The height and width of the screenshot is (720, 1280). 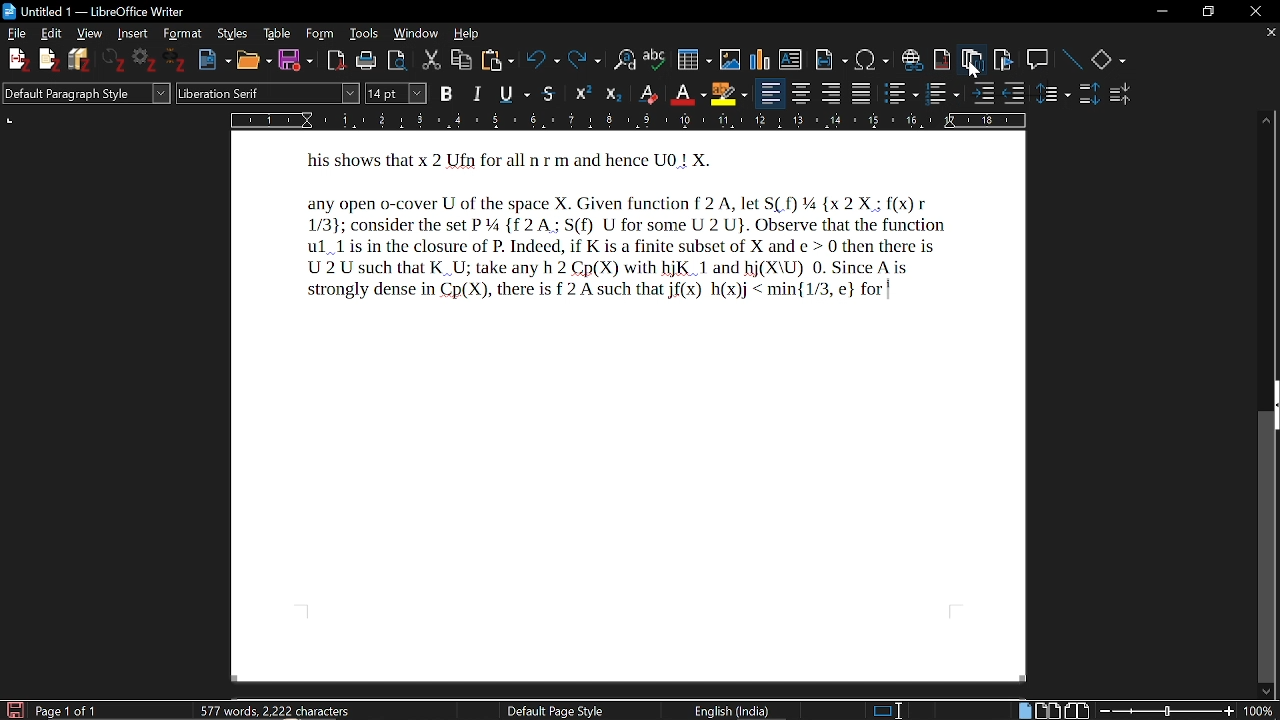 What do you see at coordinates (294, 61) in the screenshot?
I see `Save` at bounding box center [294, 61].